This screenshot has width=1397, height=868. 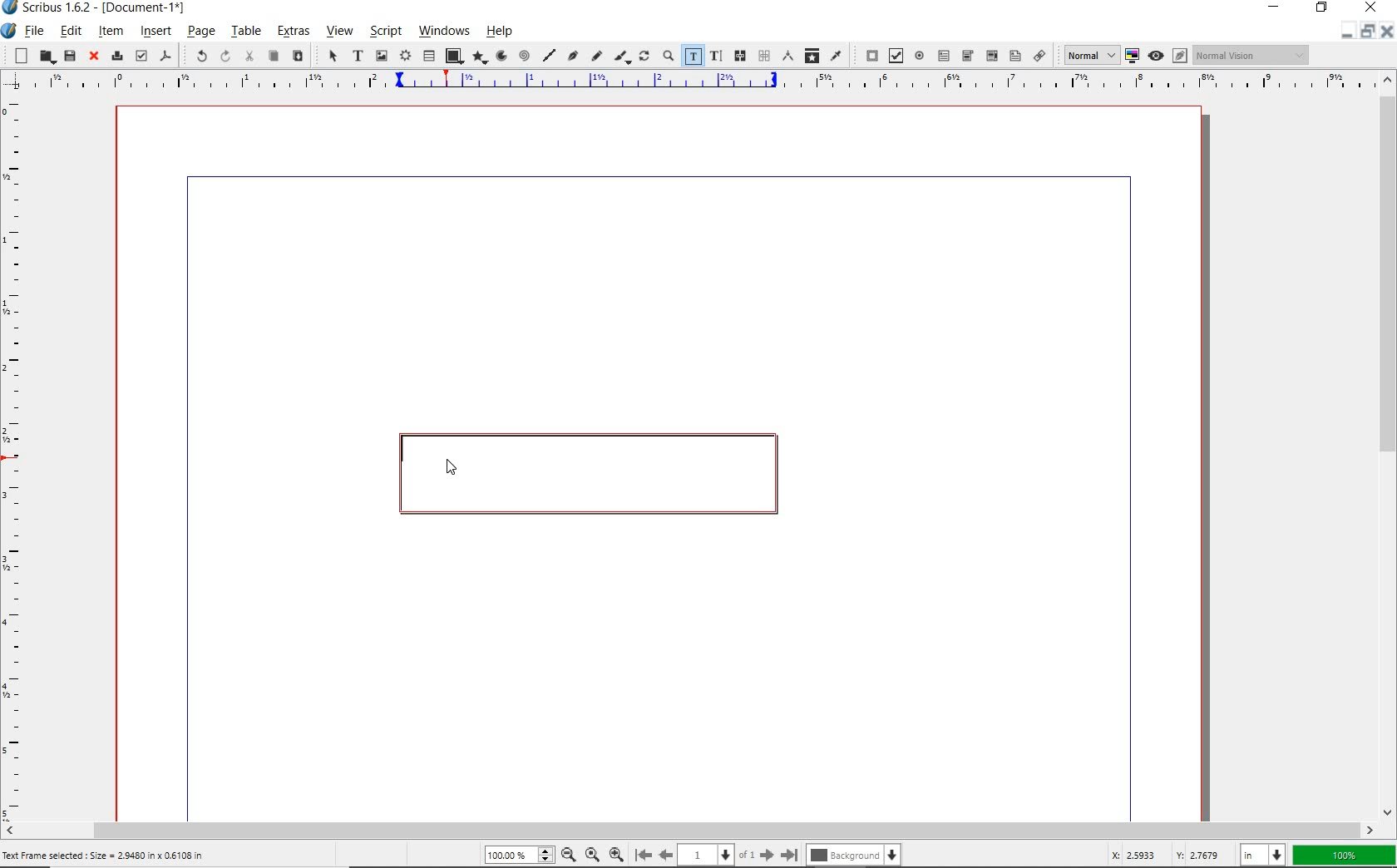 What do you see at coordinates (683, 83) in the screenshot?
I see `Vertical page margin` at bounding box center [683, 83].